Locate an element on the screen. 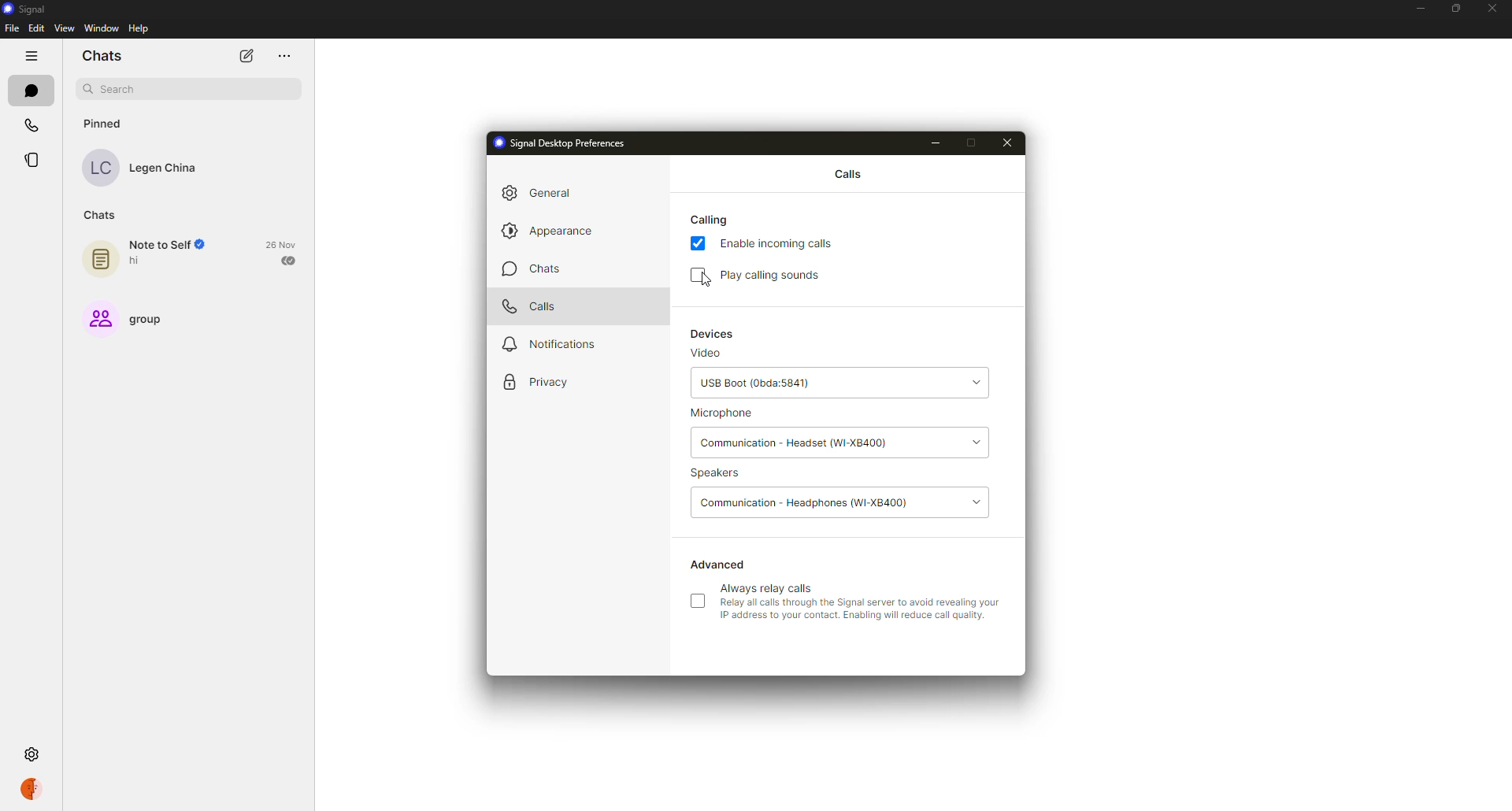 The width and height of the screenshot is (1512, 811). edit is located at coordinates (39, 28).